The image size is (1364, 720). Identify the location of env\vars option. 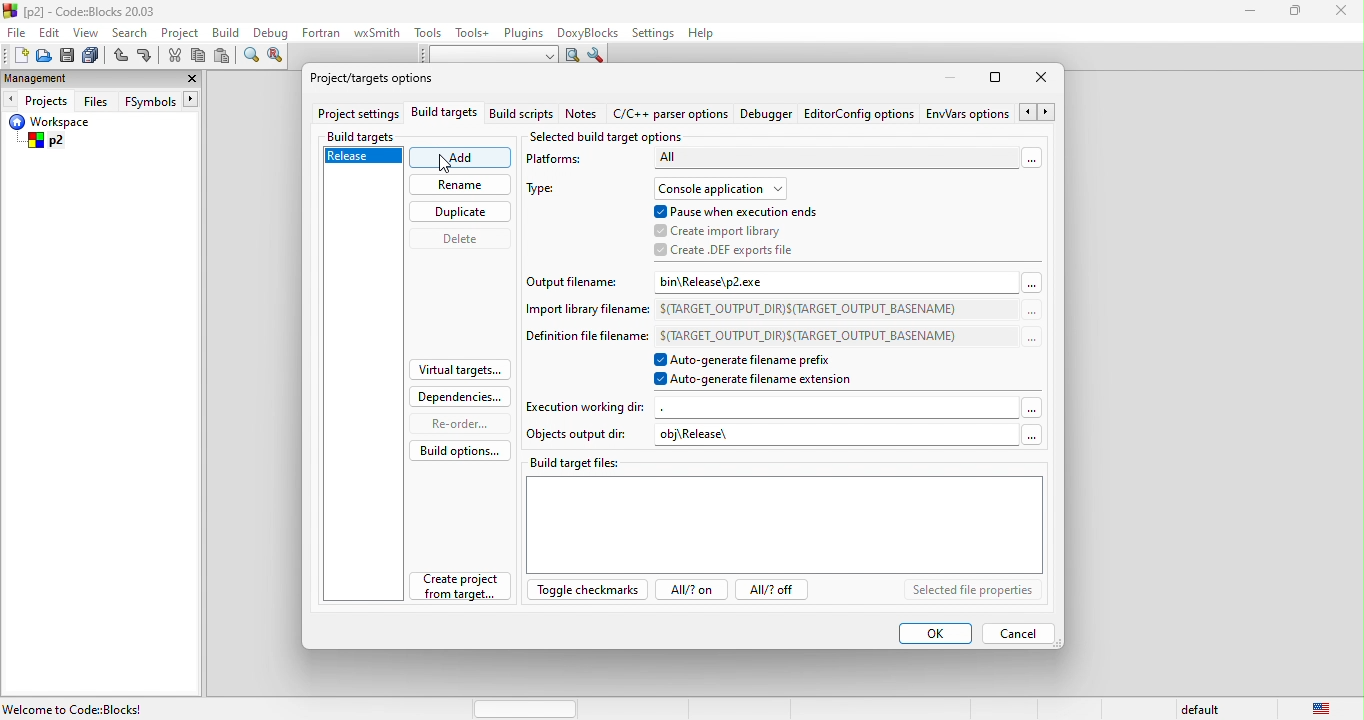
(992, 112).